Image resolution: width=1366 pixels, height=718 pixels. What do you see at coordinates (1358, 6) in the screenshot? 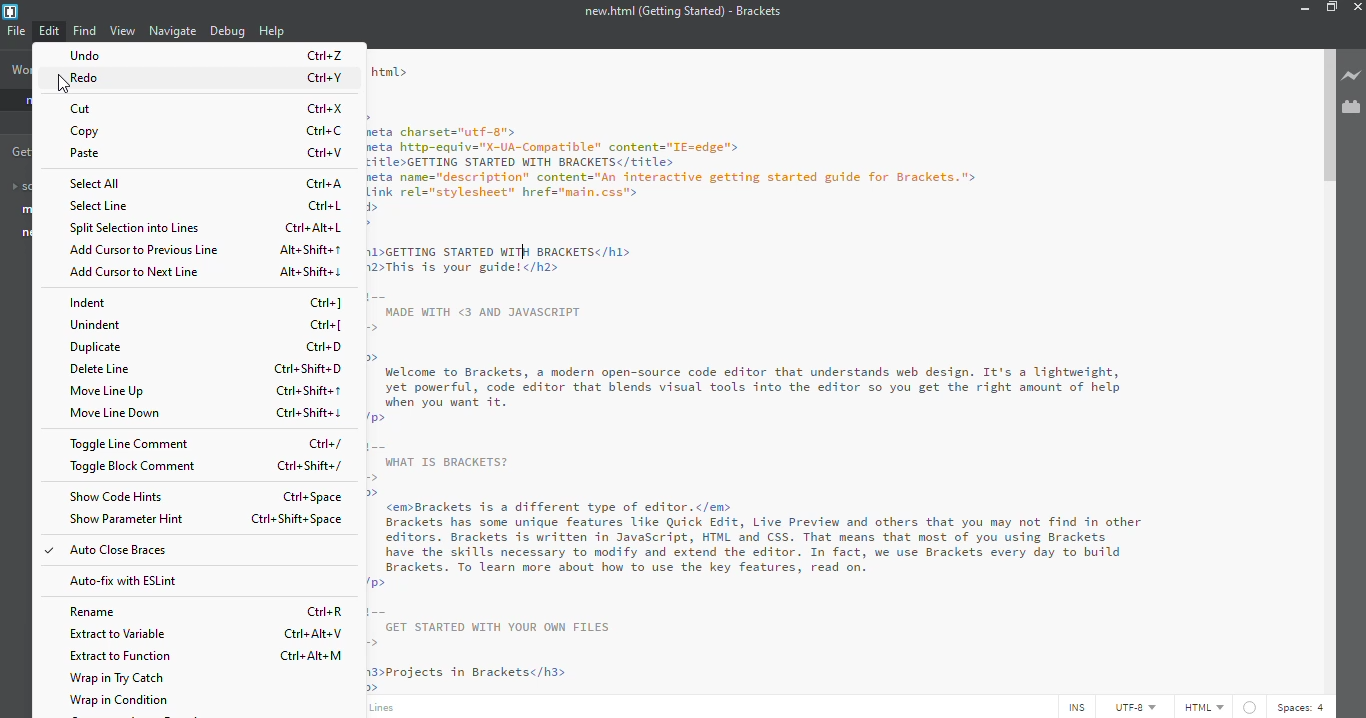
I see `close` at bounding box center [1358, 6].